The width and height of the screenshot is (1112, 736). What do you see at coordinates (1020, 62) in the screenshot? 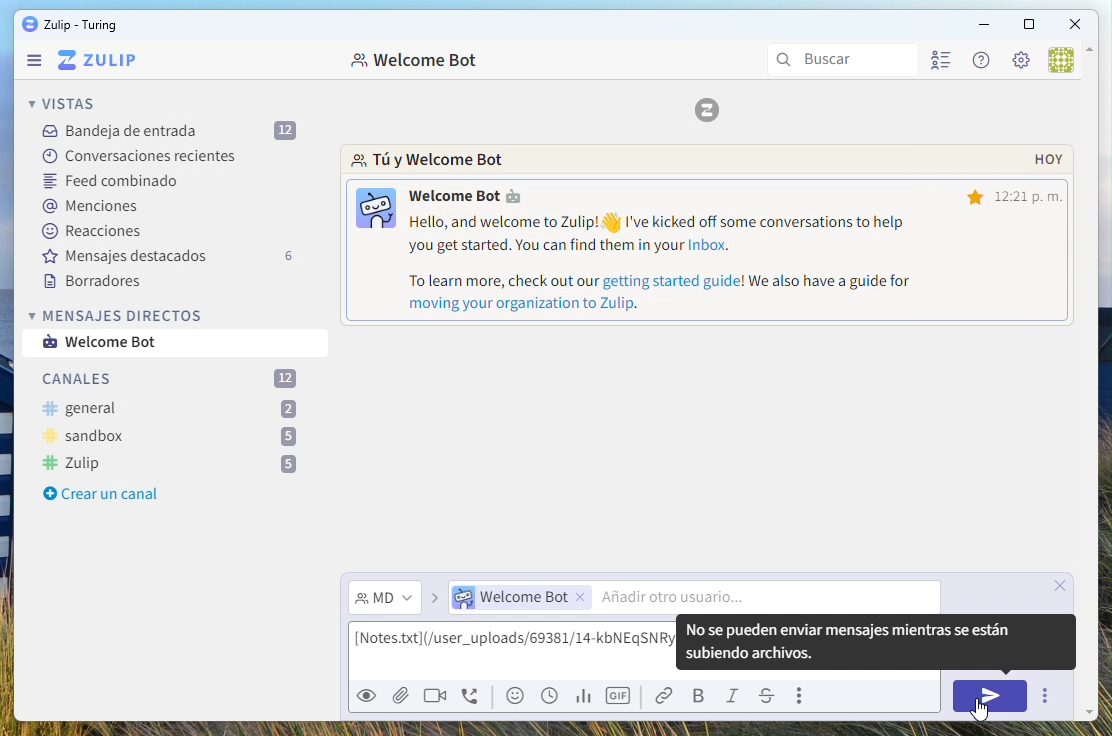
I see `Settings` at bounding box center [1020, 62].